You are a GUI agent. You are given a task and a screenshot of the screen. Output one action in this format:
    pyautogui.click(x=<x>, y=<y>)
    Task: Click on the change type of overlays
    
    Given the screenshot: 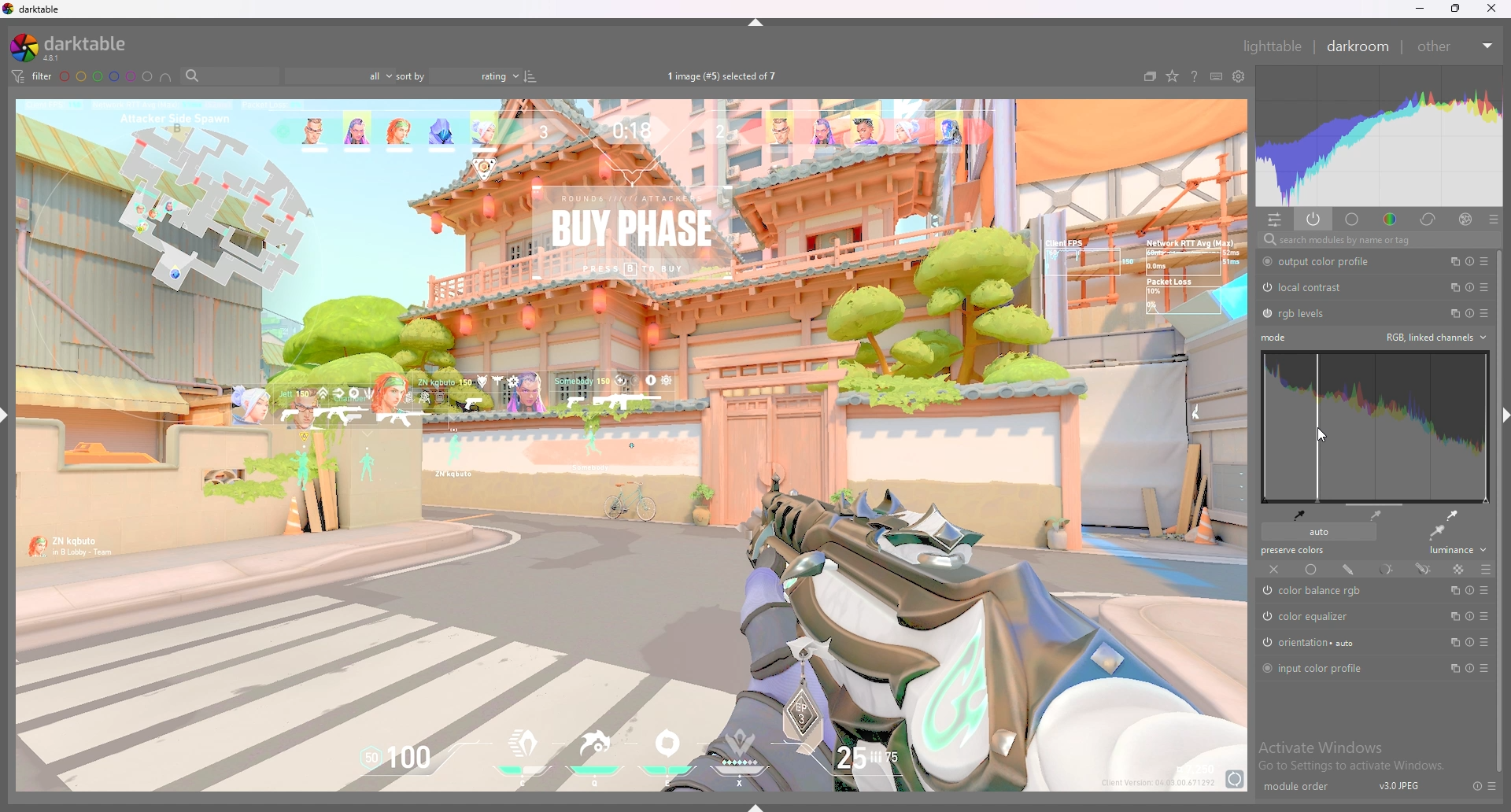 What is the action you would take?
    pyautogui.click(x=1173, y=77)
    